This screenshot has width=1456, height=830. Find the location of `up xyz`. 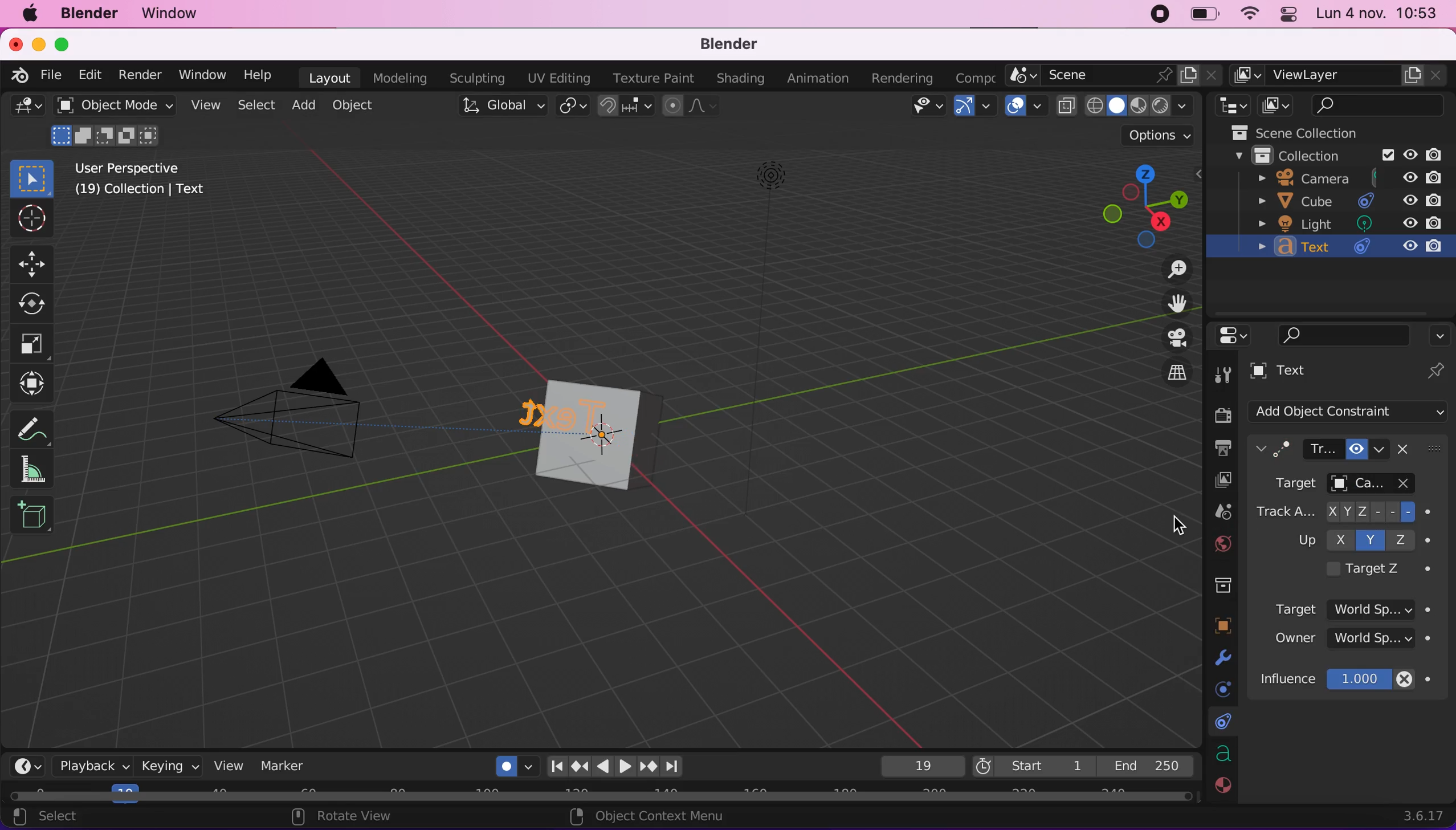

up xyz is located at coordinates (1358, 539).